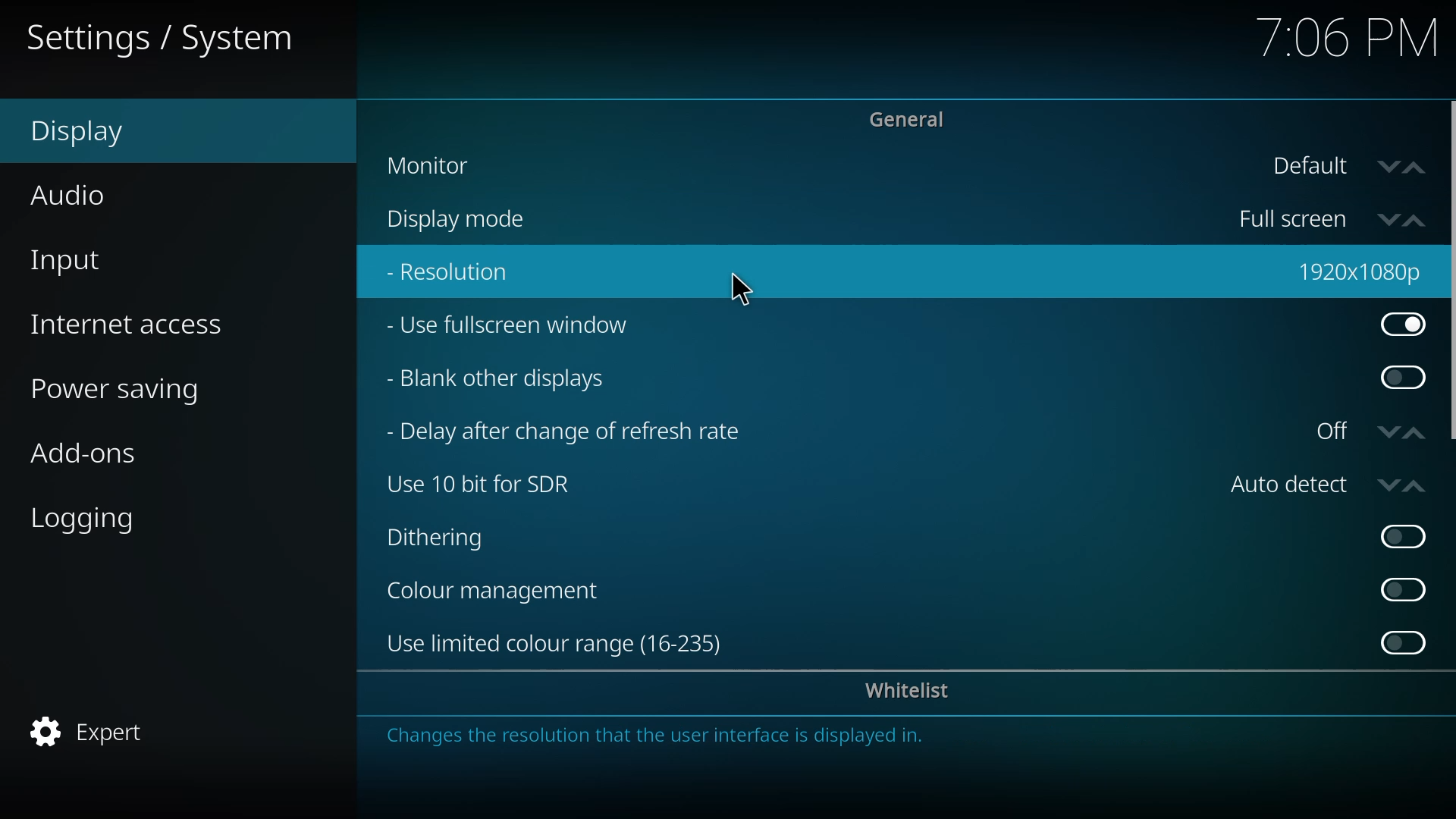 This screenshot has width=1456, height=819. What do you see at coordinates (82, 134) in the screenshot?
I see `display` at bounding box center [82, 134].